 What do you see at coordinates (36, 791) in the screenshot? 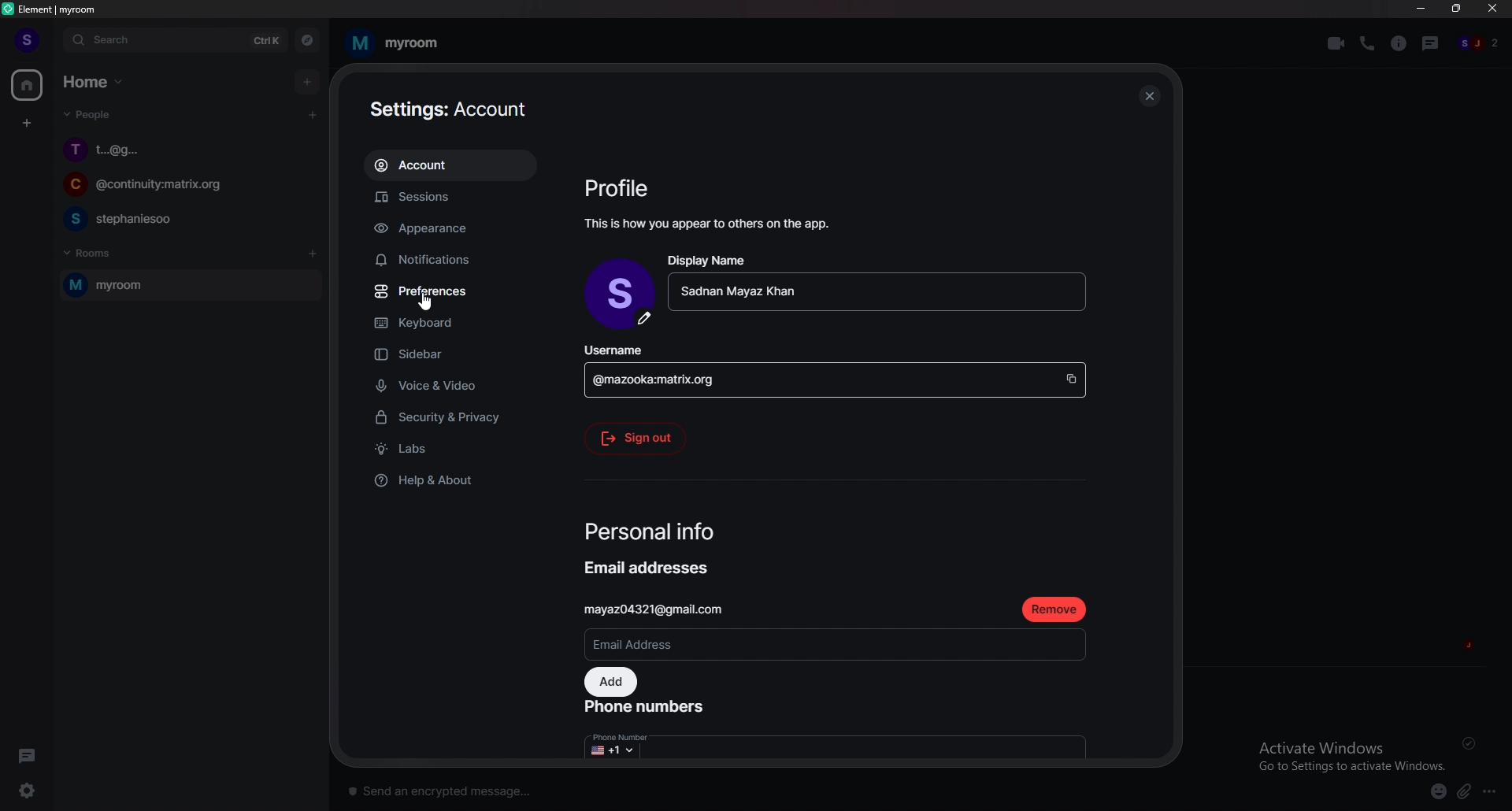
I see `settings` at bounding box center [36, 791].